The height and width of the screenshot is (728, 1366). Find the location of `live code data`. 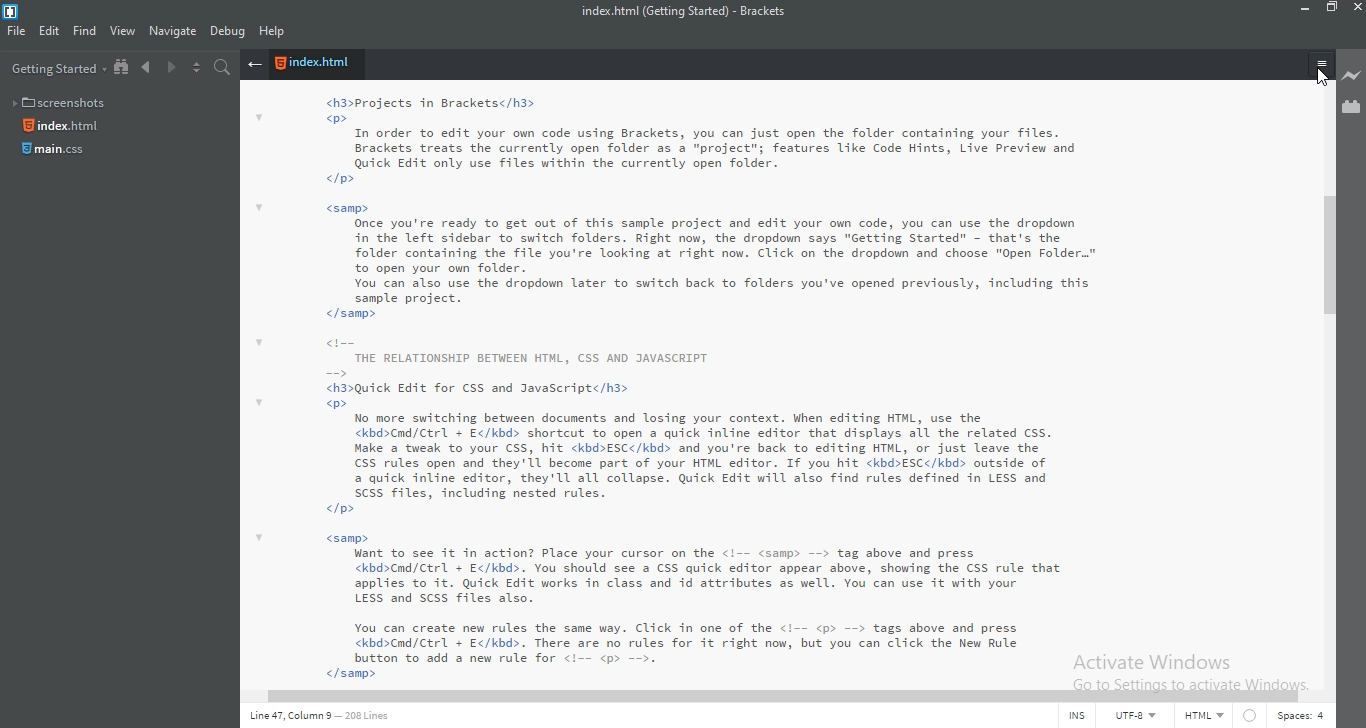

live code data is located at coordinates (331, 719).